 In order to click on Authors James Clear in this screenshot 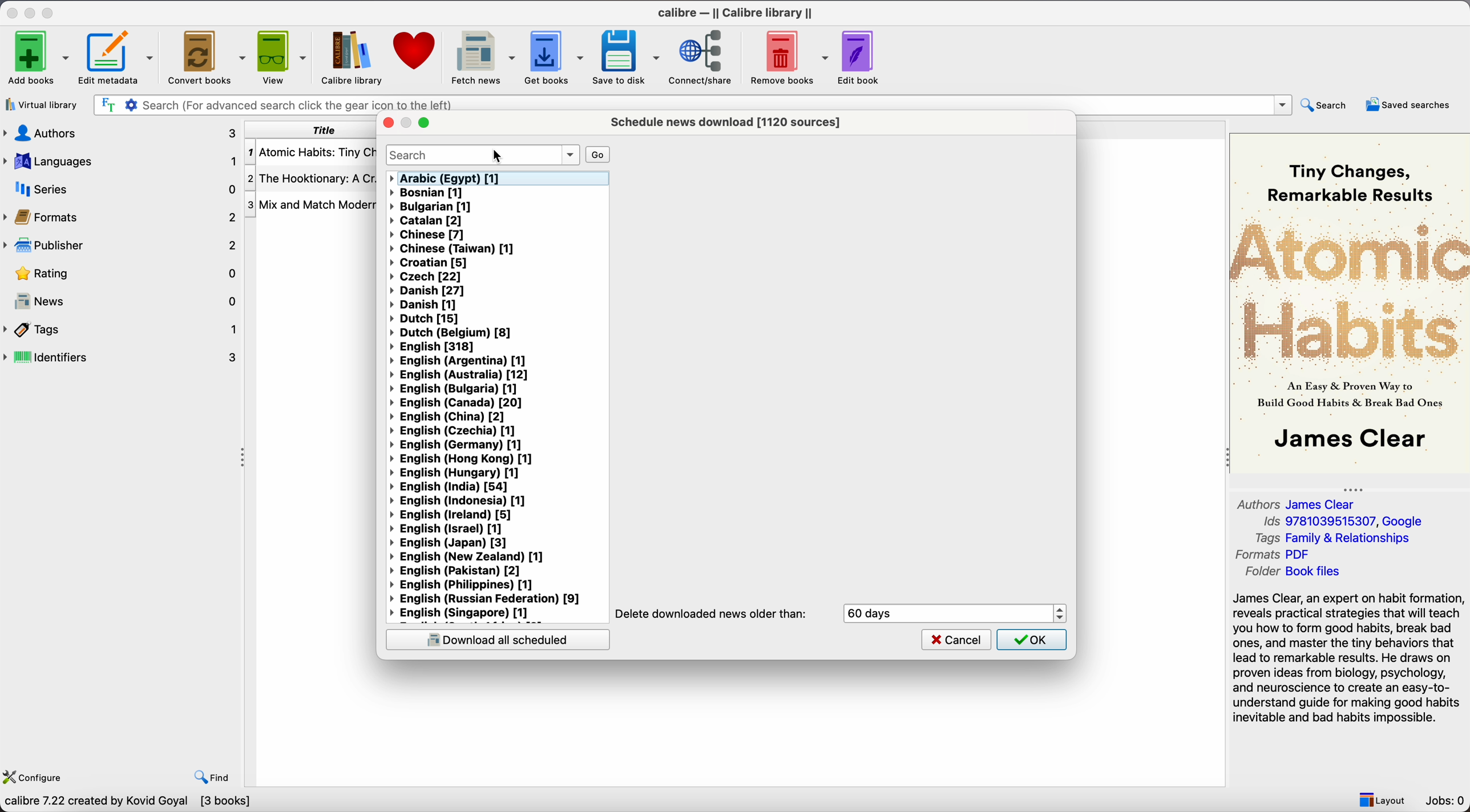, I will do `click(1298, 503)`.